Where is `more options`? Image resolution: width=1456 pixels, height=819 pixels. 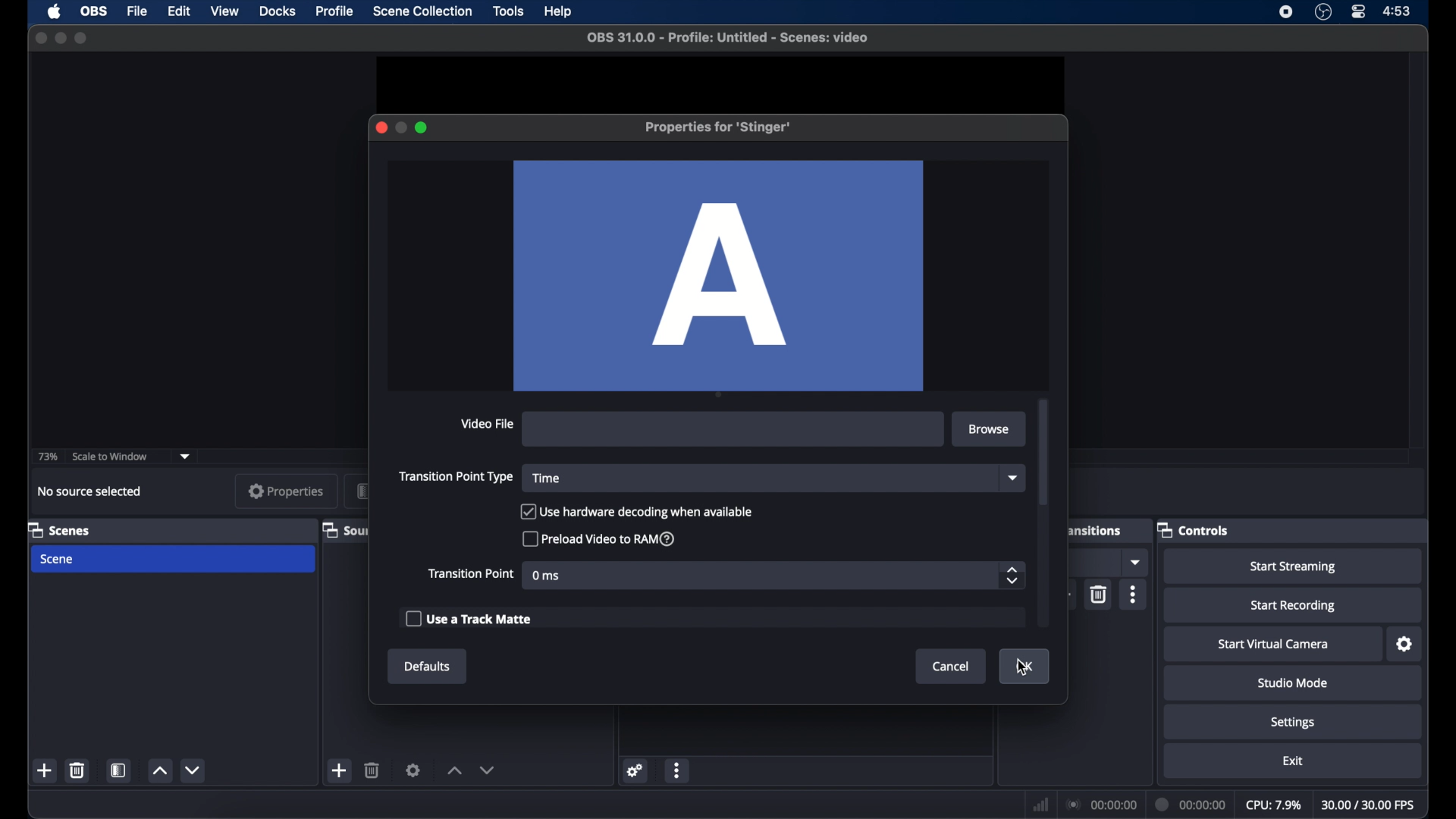 more options is located at coordinates (679, 771).